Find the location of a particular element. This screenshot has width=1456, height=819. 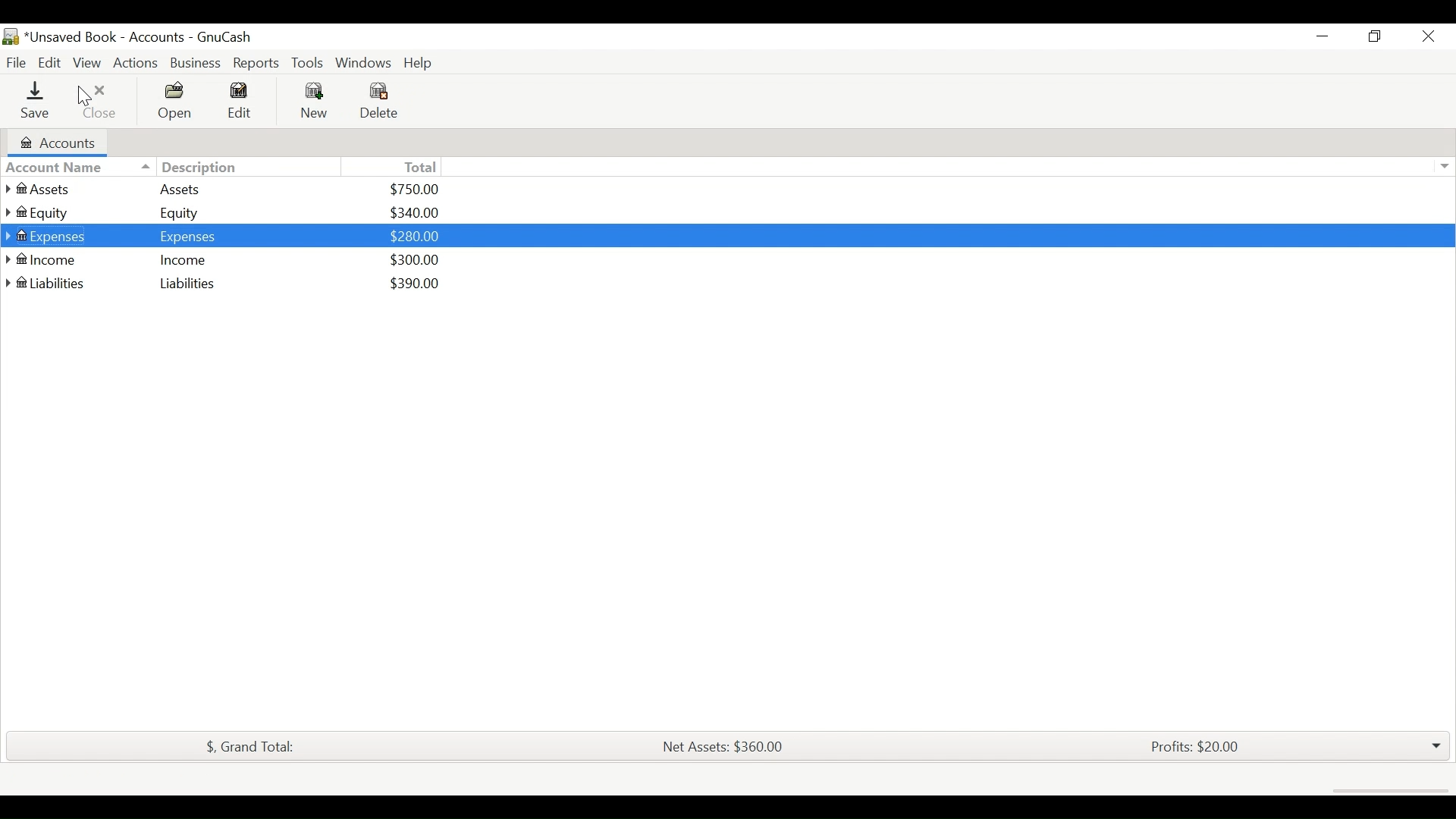

Total is located at coordinates (416, 167).